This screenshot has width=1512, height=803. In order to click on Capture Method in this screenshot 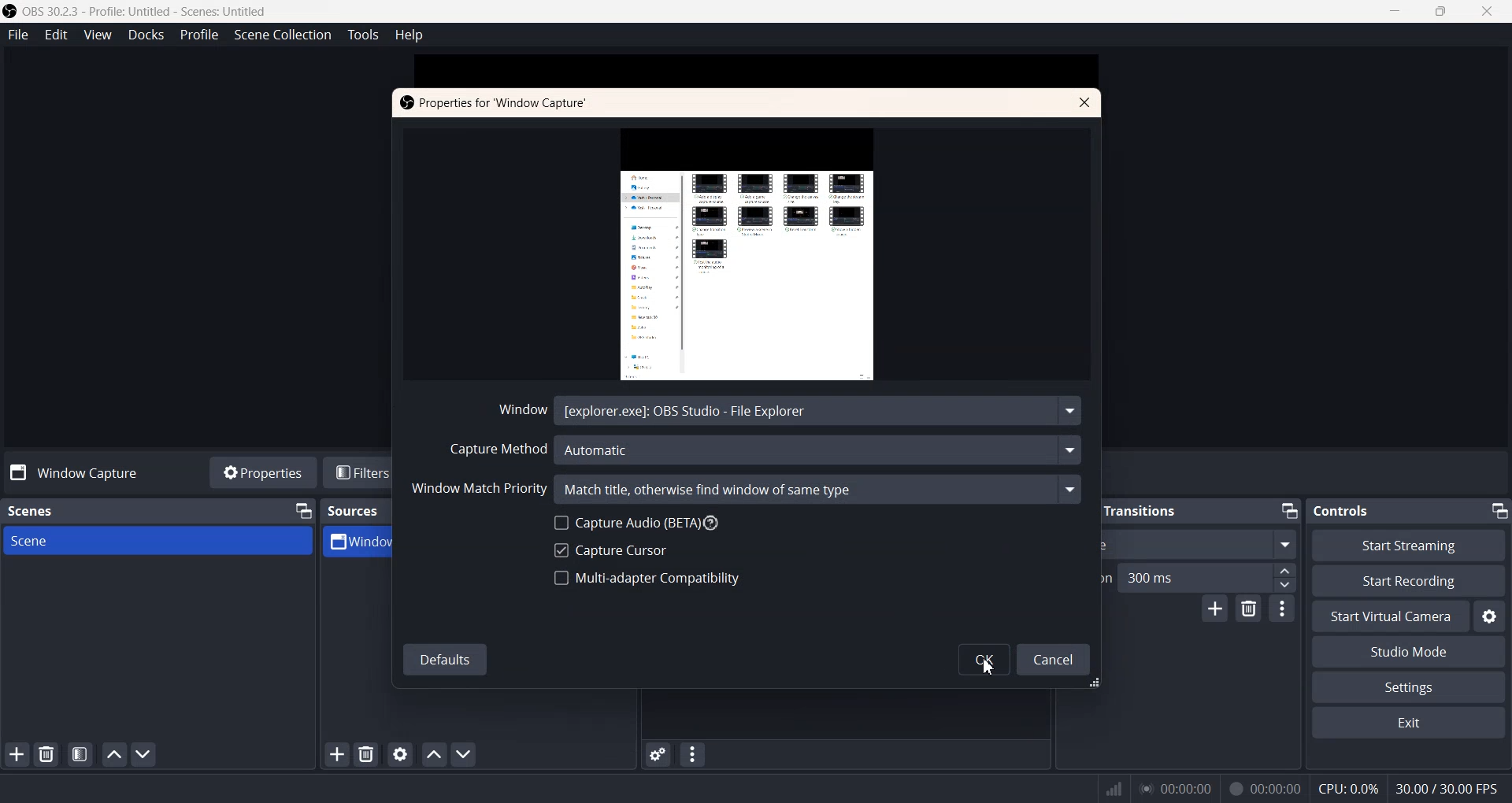, I will do `click(497, 451)`.